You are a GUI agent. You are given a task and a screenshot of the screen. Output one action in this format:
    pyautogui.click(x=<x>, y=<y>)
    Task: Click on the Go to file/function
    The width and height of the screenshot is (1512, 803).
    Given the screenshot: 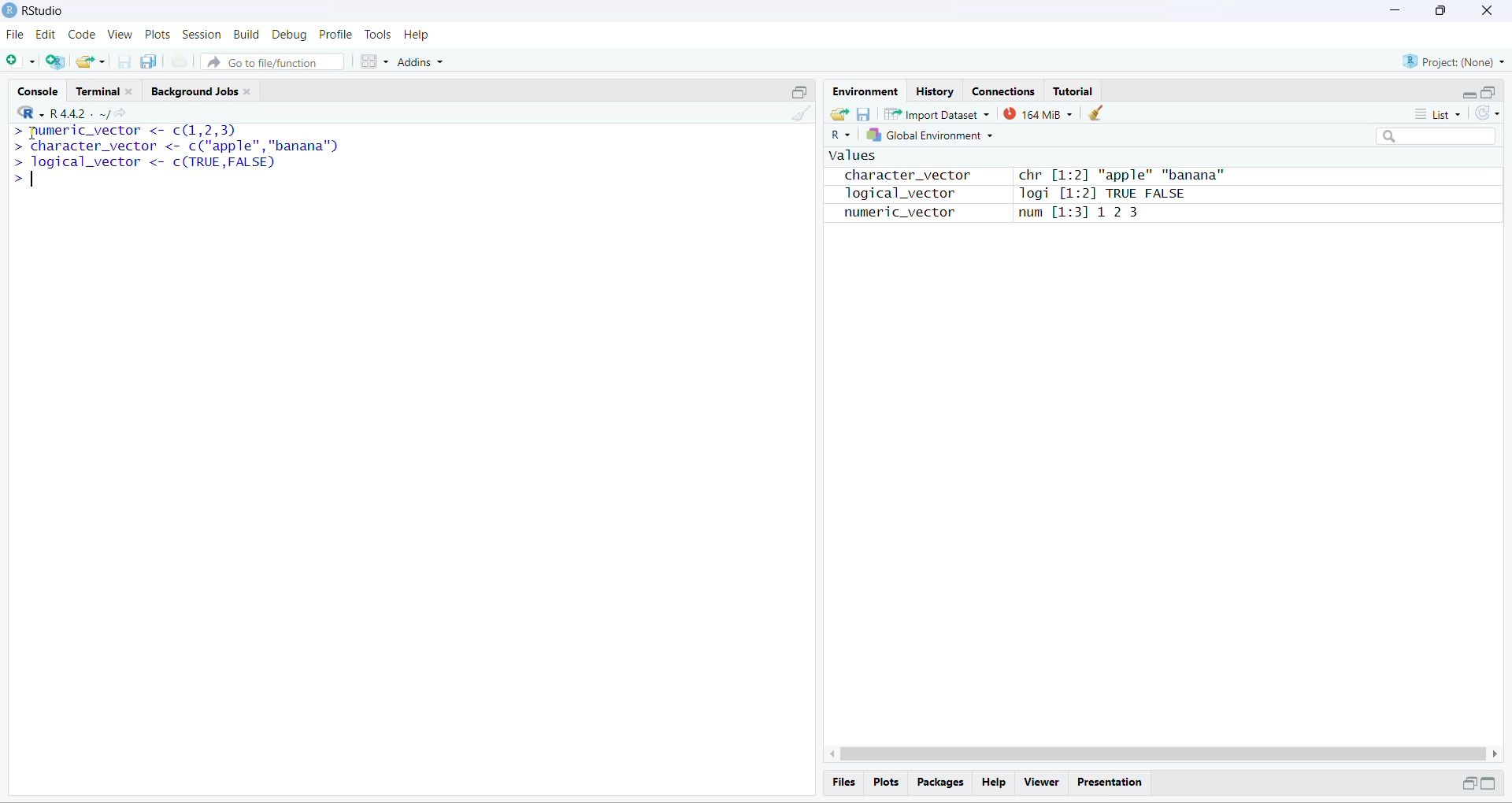 What is the action you would take?
    pyautogui.click(x=271, y=62)
    